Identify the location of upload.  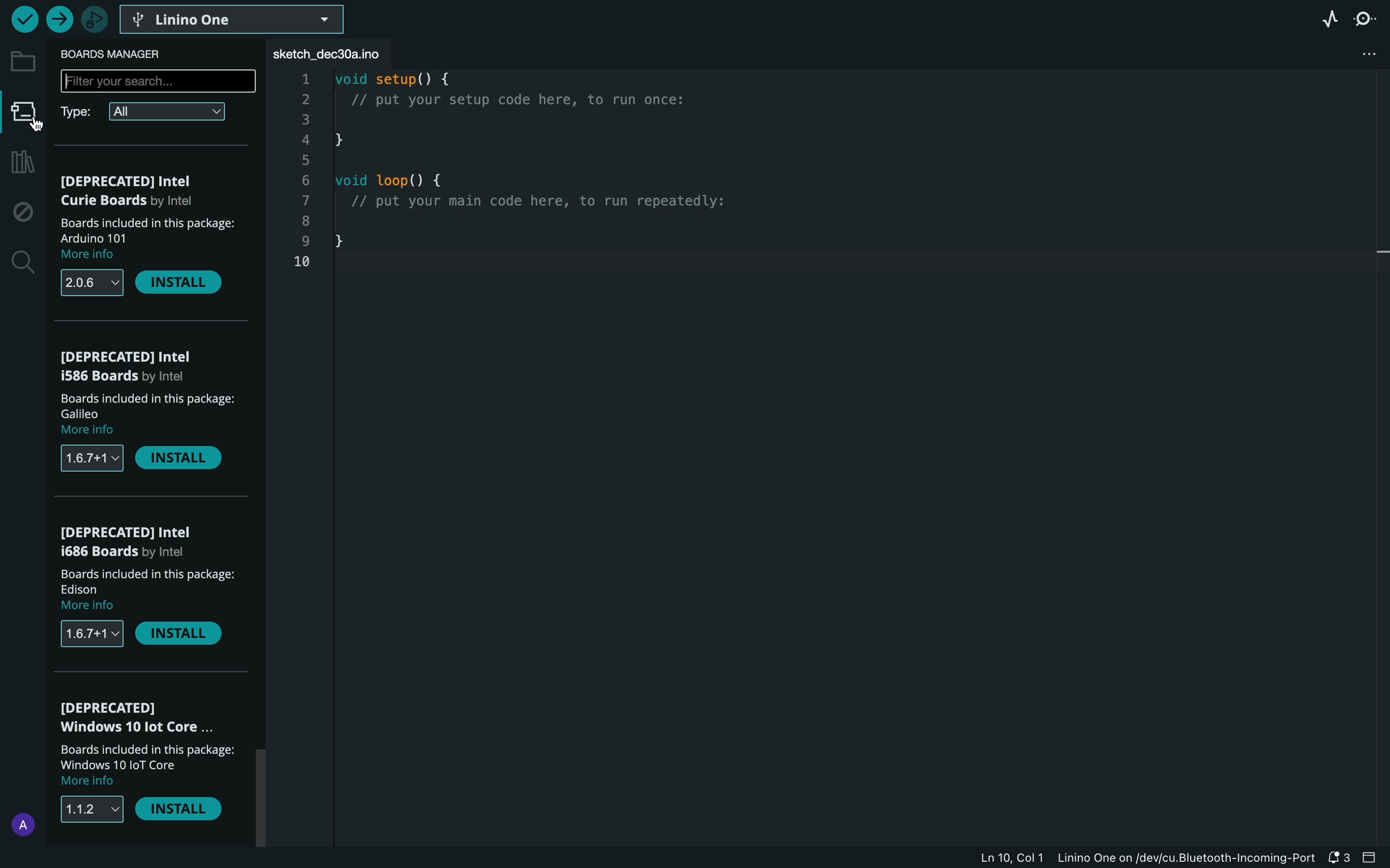
(59, 19).